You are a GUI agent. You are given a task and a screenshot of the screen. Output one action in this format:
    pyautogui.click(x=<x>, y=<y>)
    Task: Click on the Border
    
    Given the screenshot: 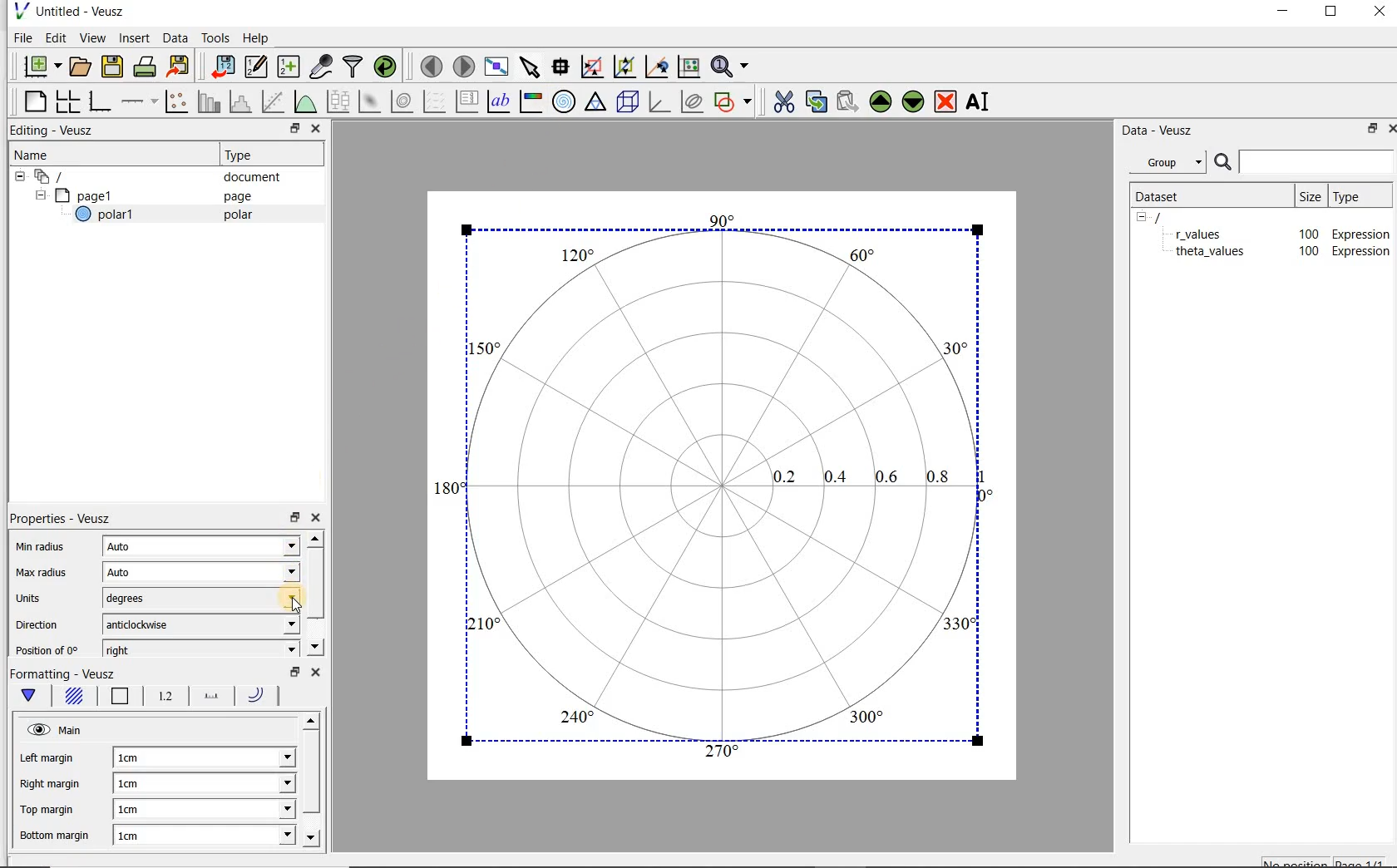 What is the action you would take?
    pyautogui.click(x=123, y=696)
    